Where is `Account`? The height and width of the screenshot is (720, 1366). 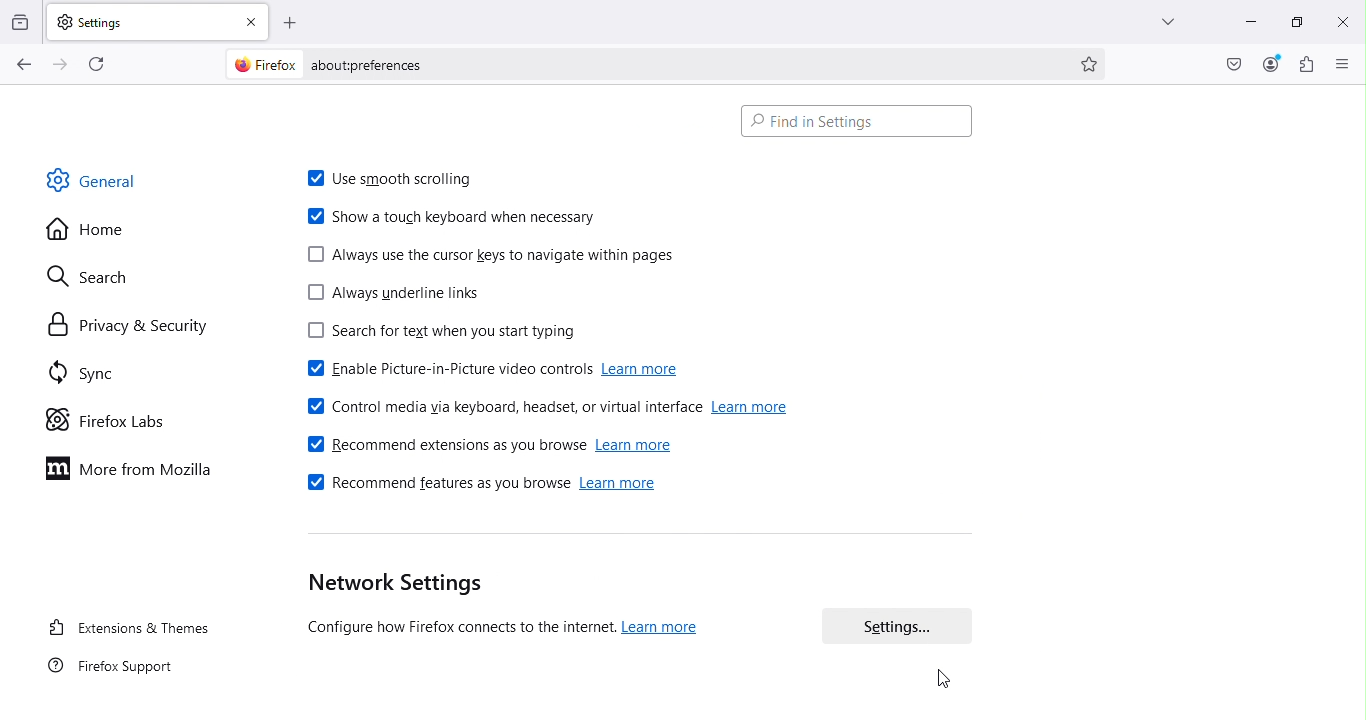
Account is located at coordinates (1270, 63).